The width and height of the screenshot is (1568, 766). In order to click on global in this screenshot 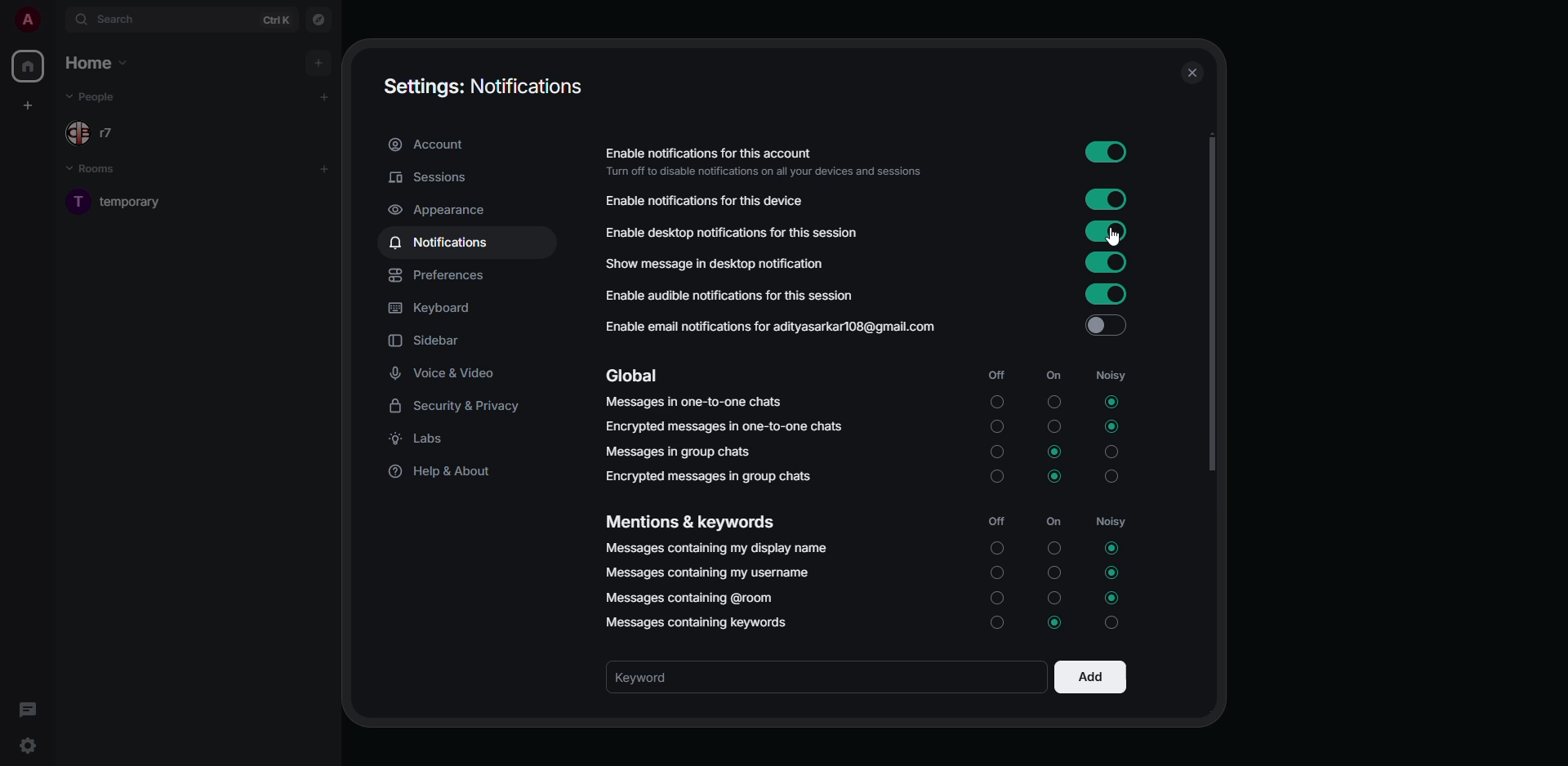, I will do `click(634, 374)`.